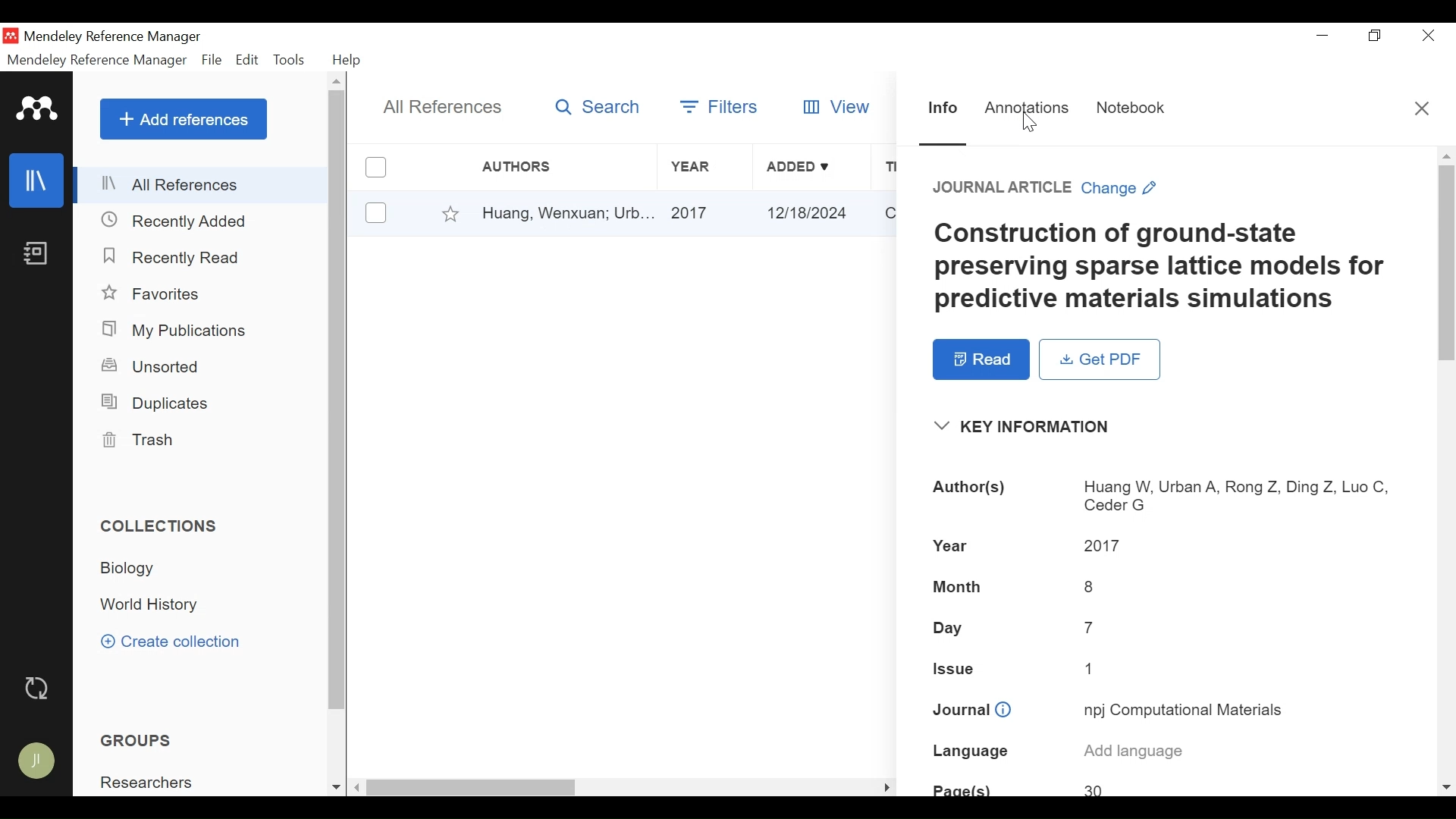 Image resolution: width=1456 pixels, height=819 pixels. What do you see at coordinates (956, 667) in the screenshot?
I see `Issue` at bounding box center [956, 667].